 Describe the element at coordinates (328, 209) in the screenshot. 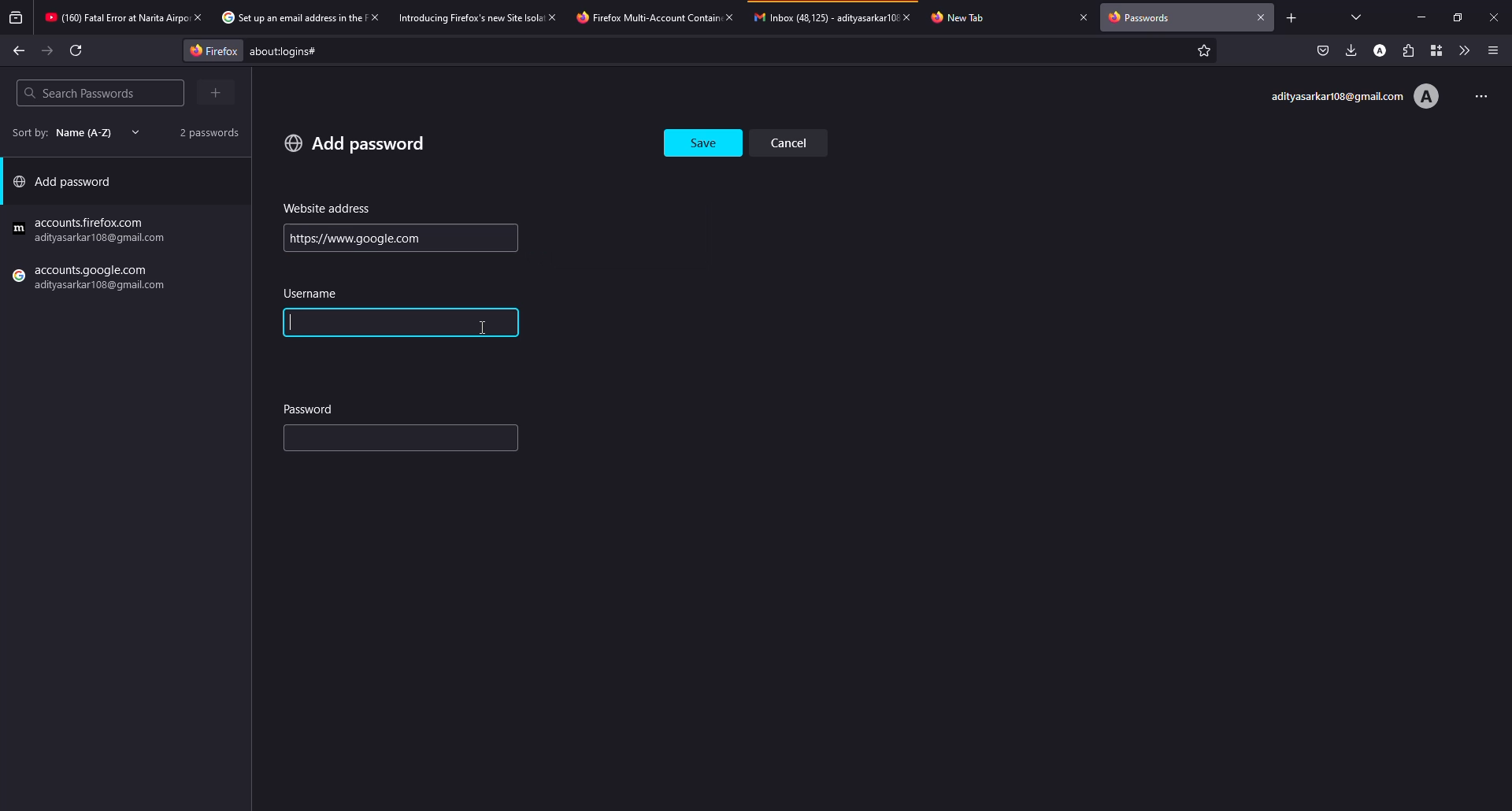

I see `address` at that location.